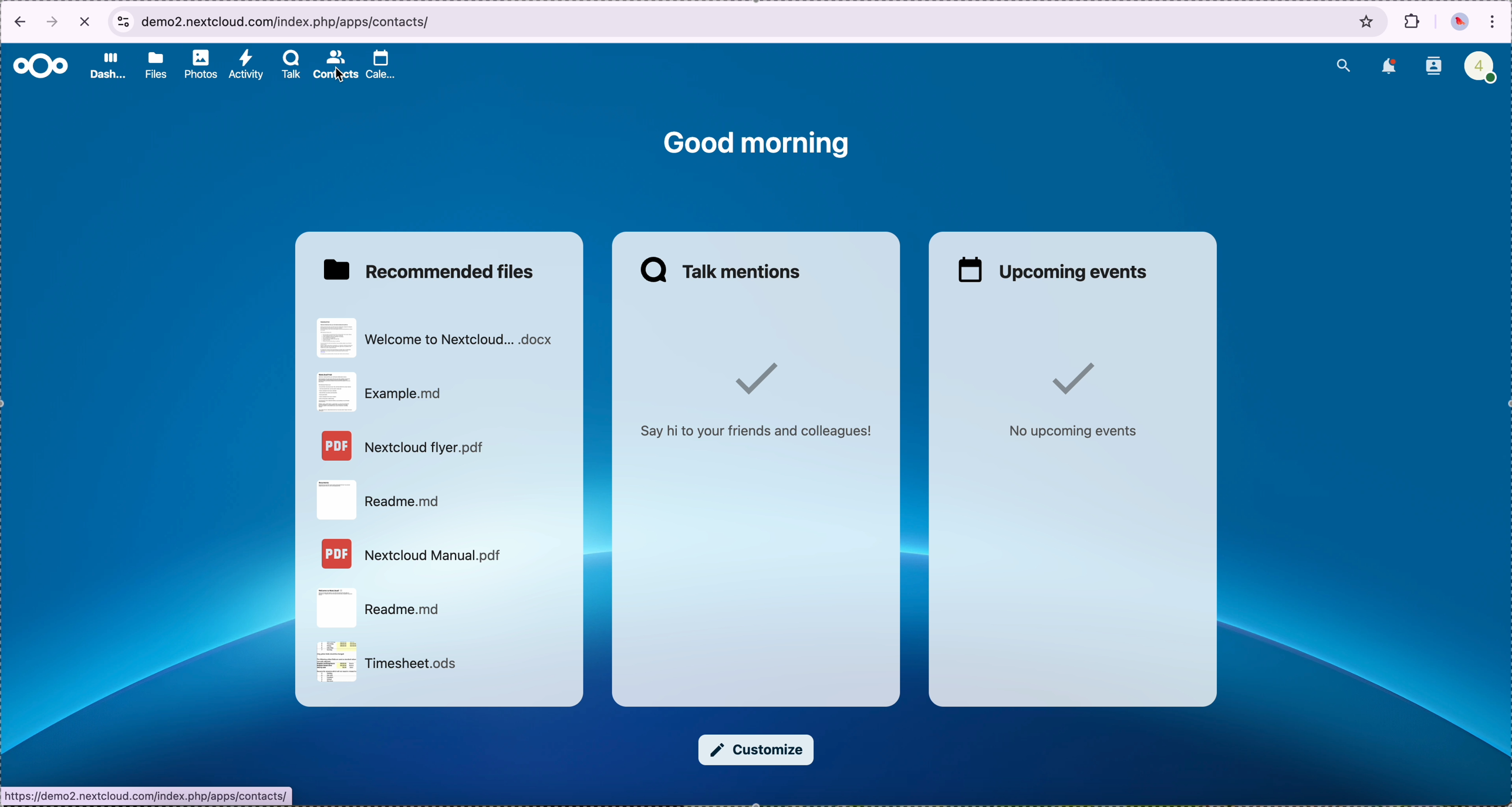 The width and height of the screenshot is (1512, 807). What do you see at coordinates (288, 20) in the screenshot?
I see `URL` at bounding box center [288, 20].